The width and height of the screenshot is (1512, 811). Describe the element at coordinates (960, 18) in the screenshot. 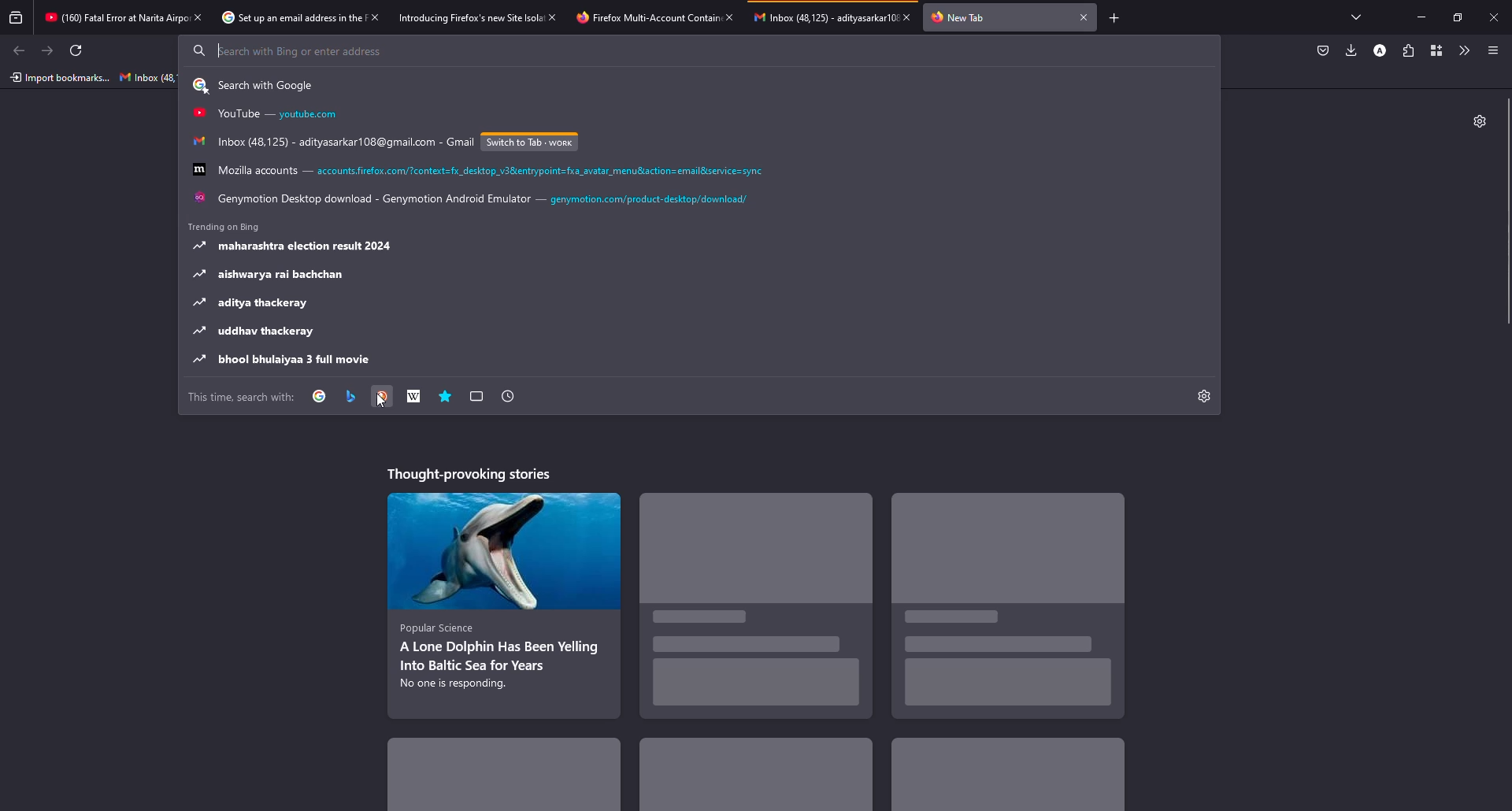

I see `tab` at that location.